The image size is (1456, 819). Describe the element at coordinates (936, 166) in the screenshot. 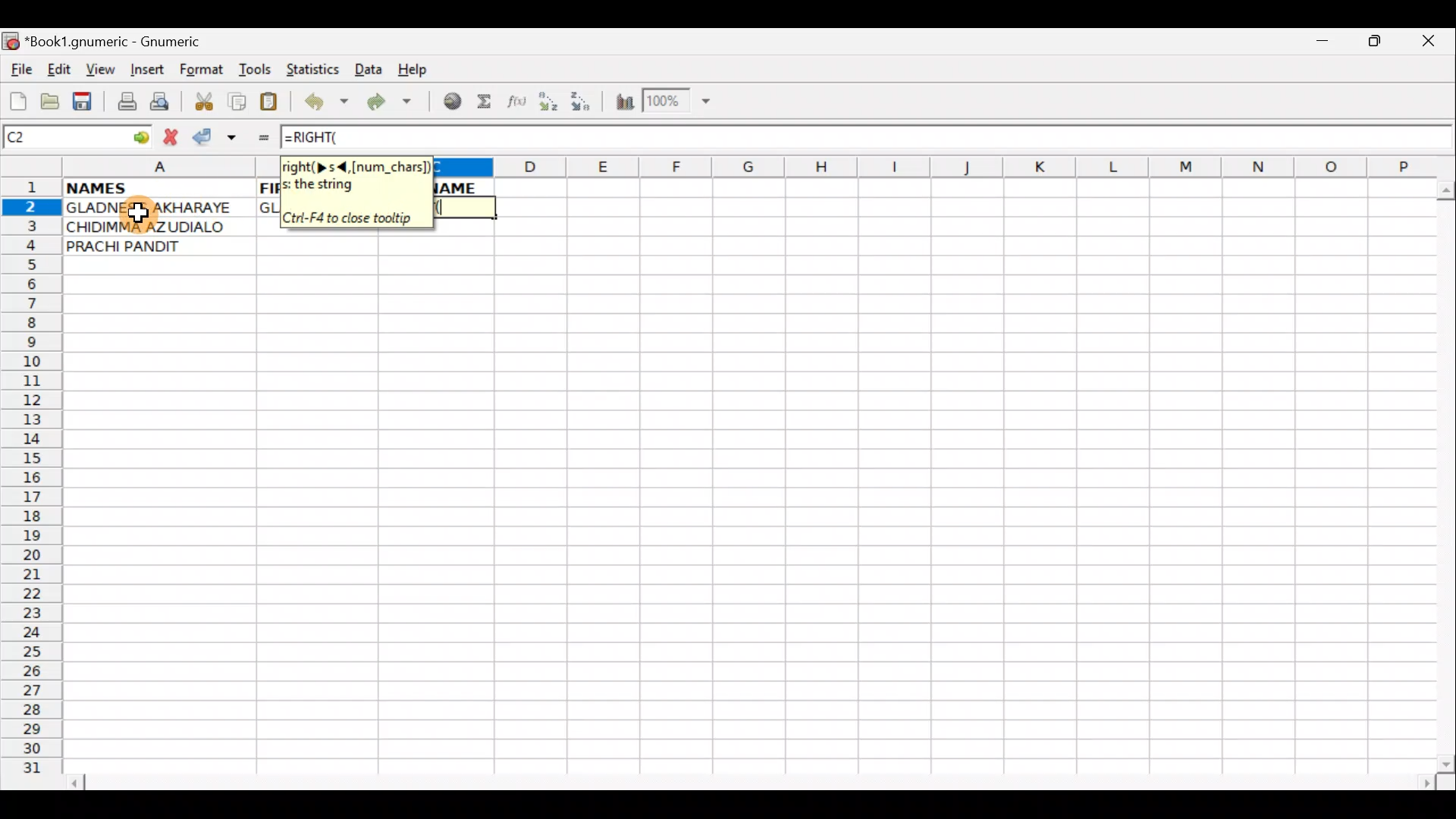

I see `Columns` at that location.